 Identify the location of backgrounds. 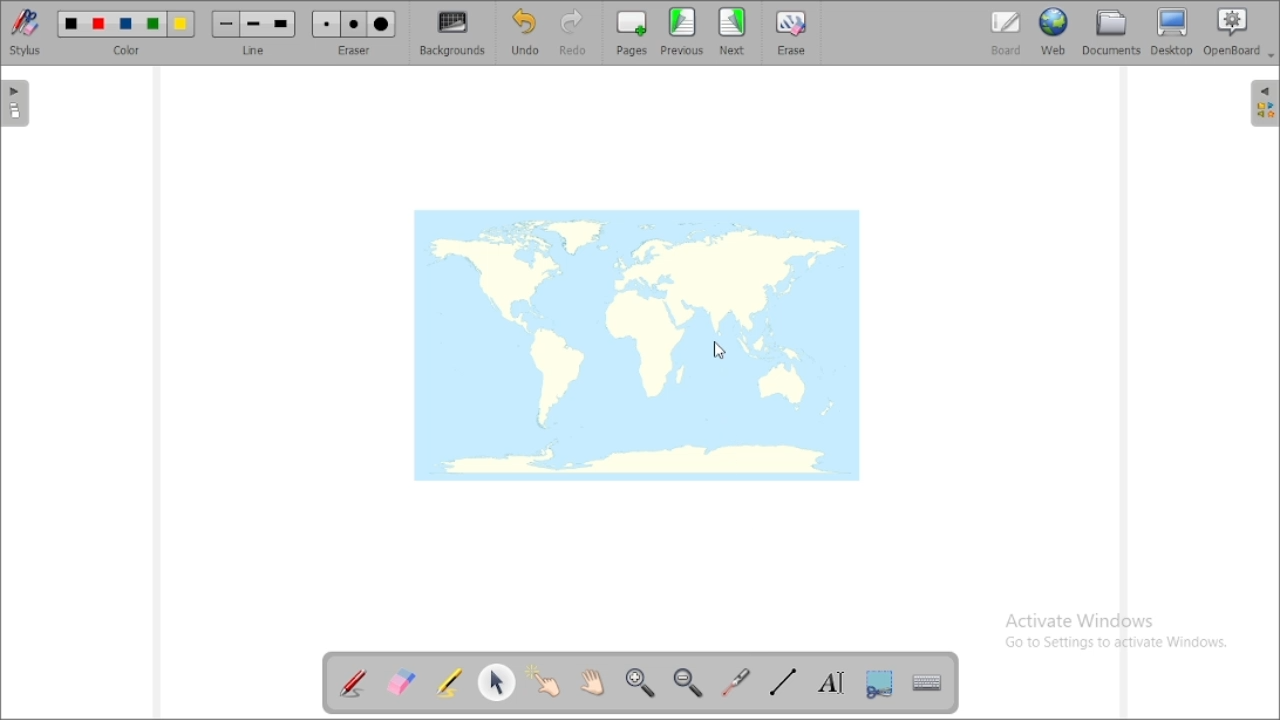
(451, 33).